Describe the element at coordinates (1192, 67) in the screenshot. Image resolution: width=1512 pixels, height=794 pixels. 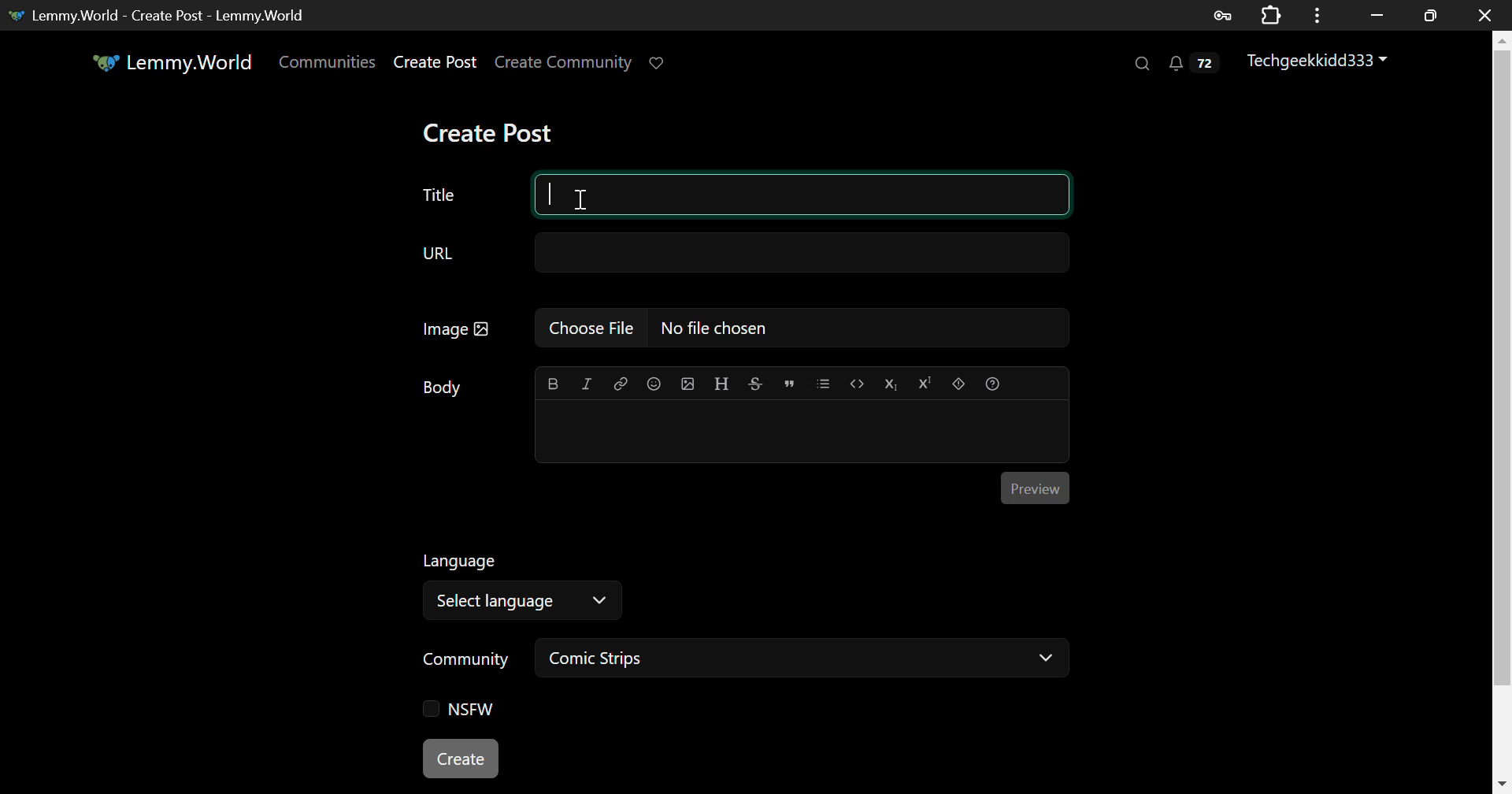
I see `Notifications` at that location.